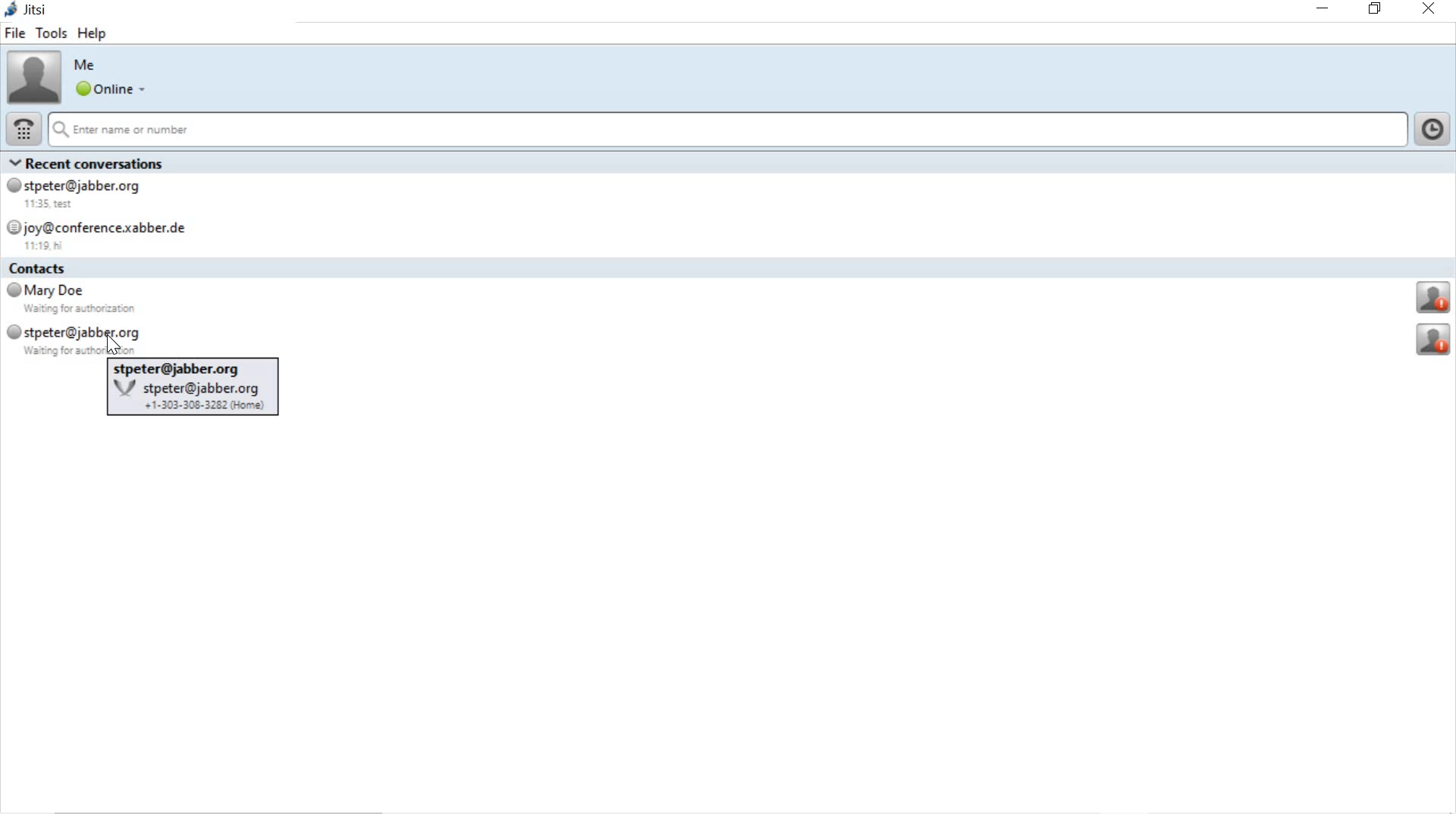 The width and height of the screenshot is (1456, 814). Describe the element at coordinates (1320, 11) in the screenshot. I see `minimize` at that location.